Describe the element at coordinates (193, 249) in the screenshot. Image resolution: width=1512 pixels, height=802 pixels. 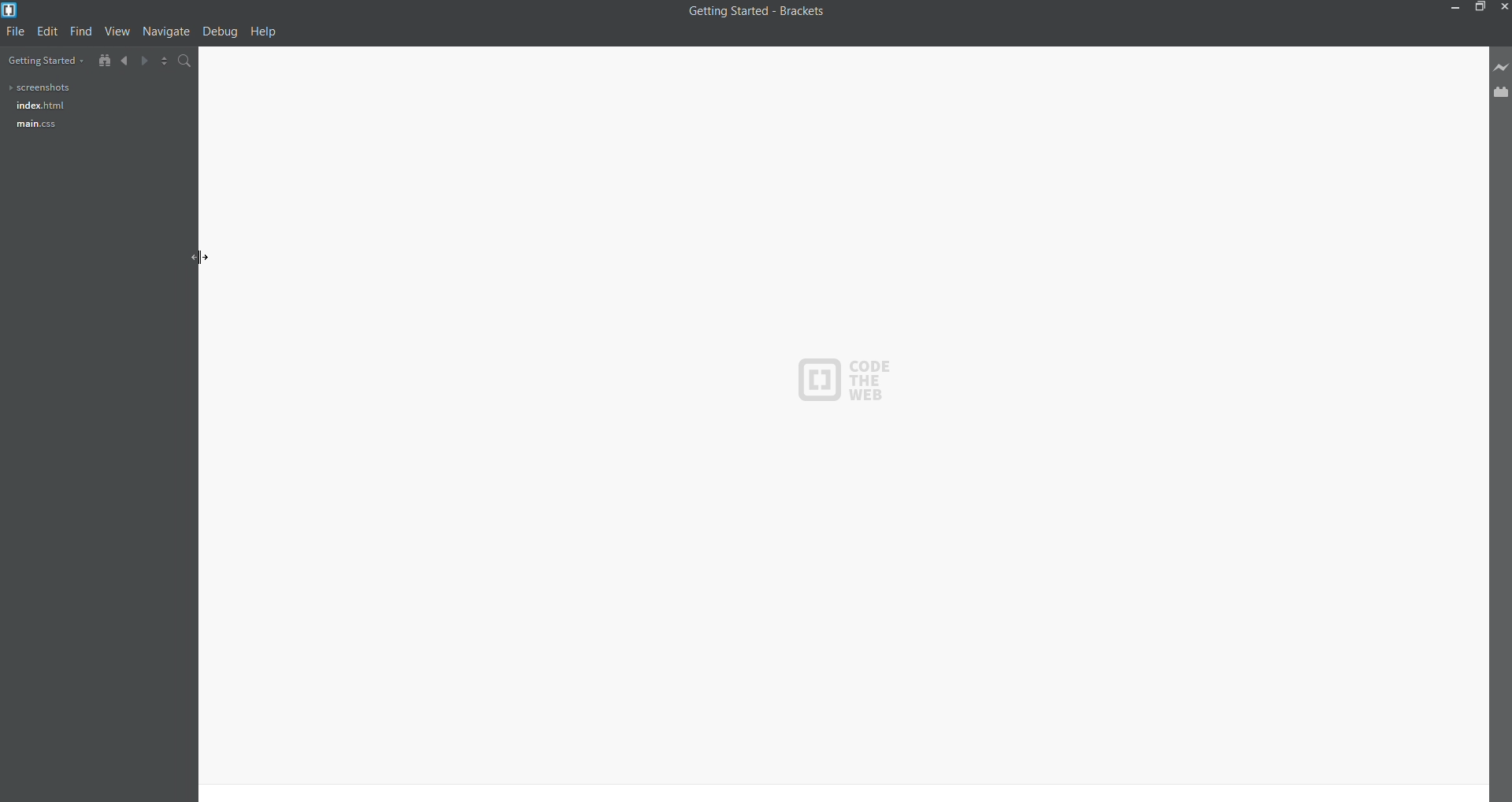
I see `cursor` at that location.